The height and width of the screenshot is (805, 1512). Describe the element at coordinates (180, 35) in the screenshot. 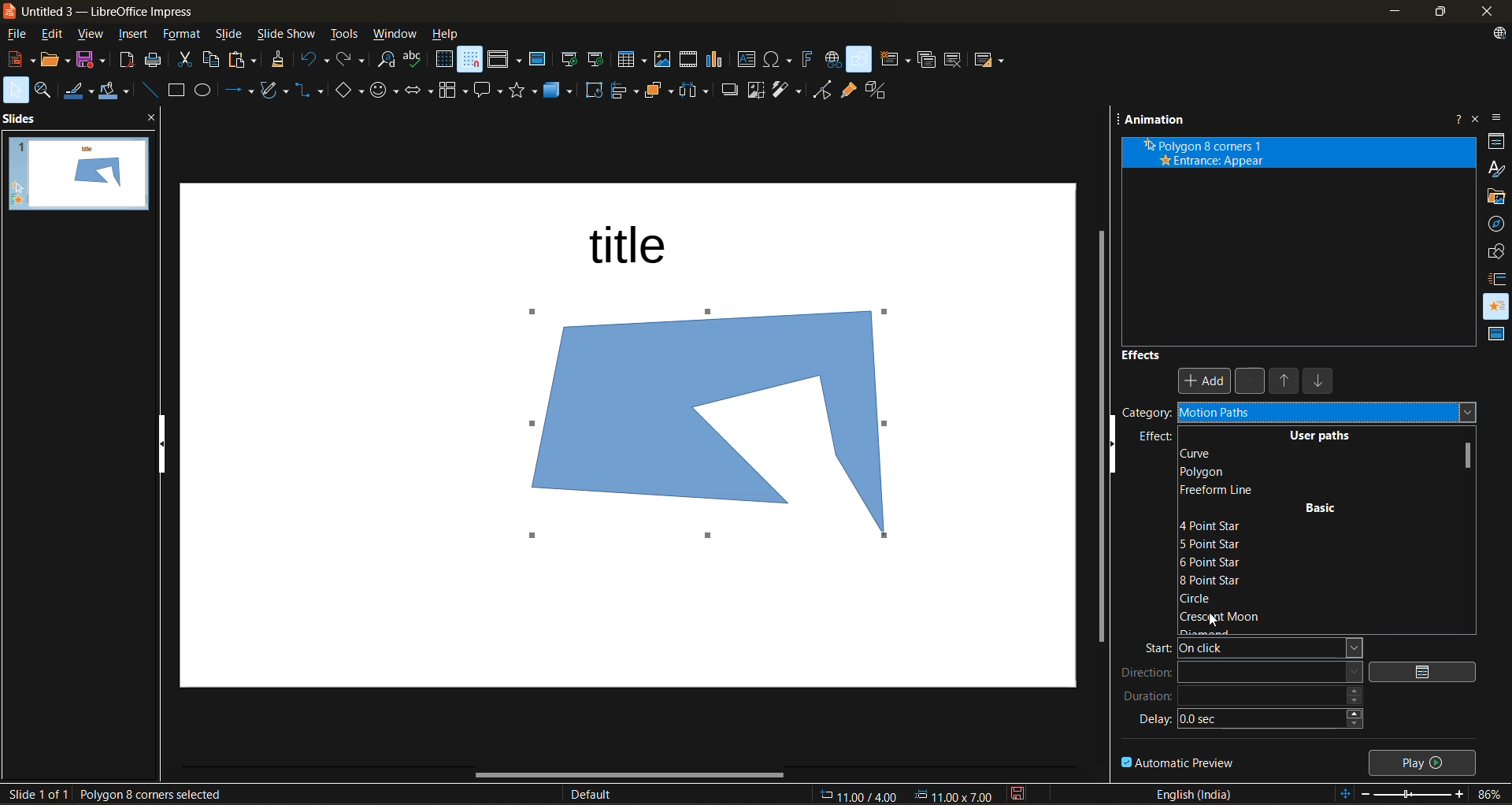

I see `format` at that location.